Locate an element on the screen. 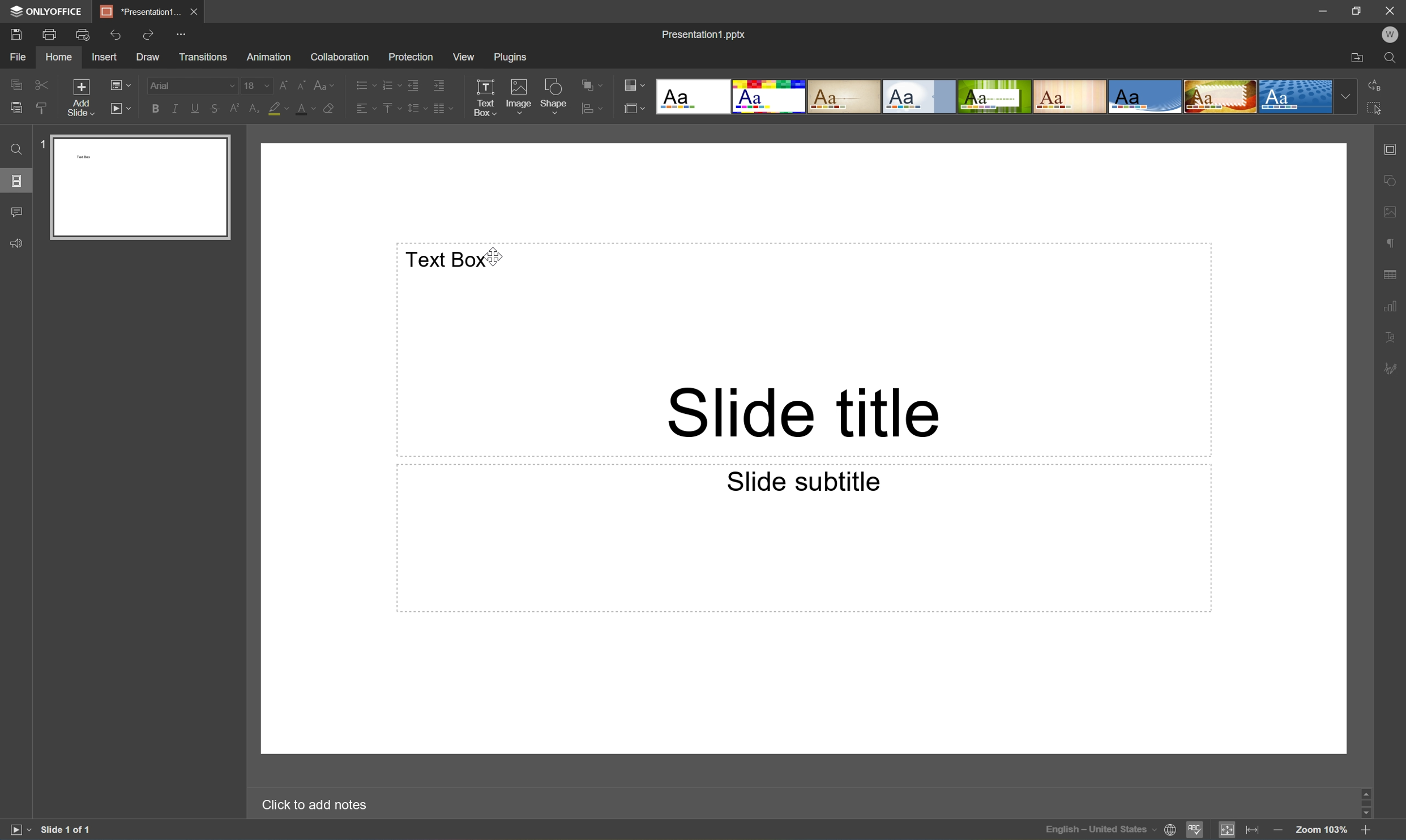 This screenshot has height=840, width=1406. Minimize is located at coordinates (1322, 9).